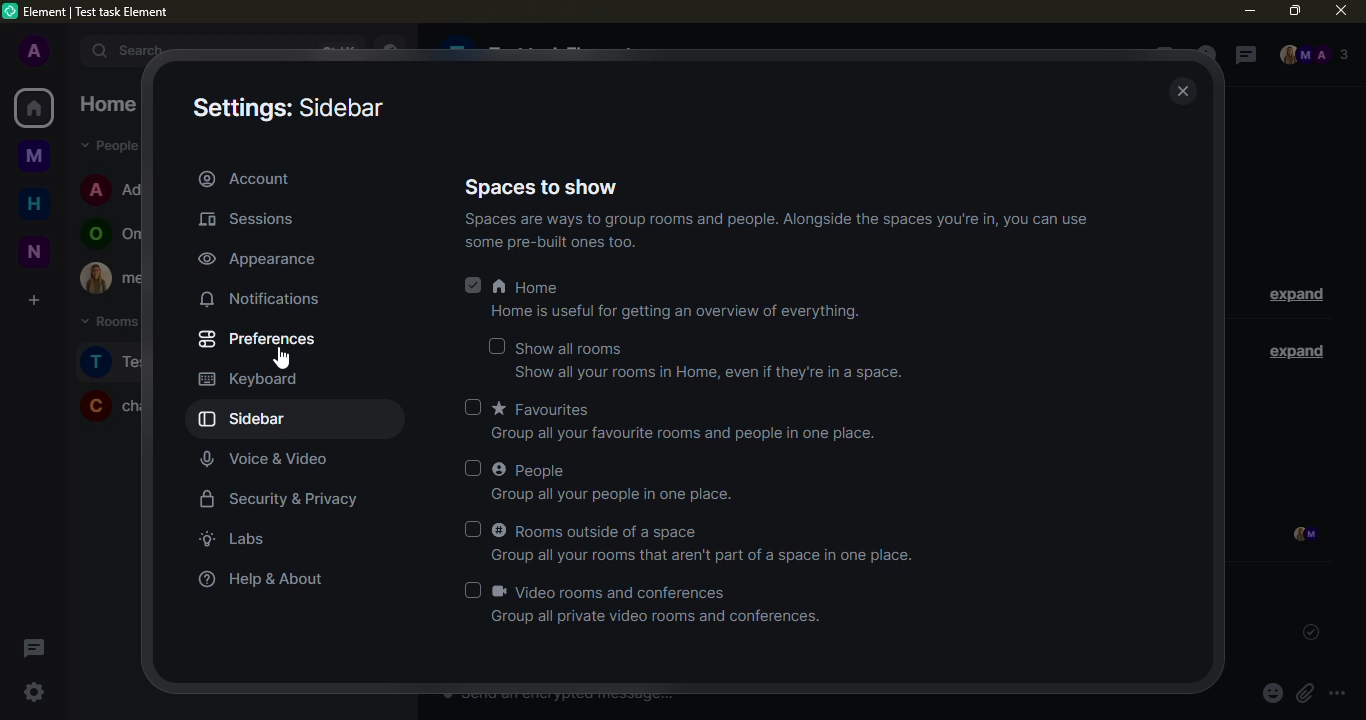  I want to click on myspace, so click(35, 154).